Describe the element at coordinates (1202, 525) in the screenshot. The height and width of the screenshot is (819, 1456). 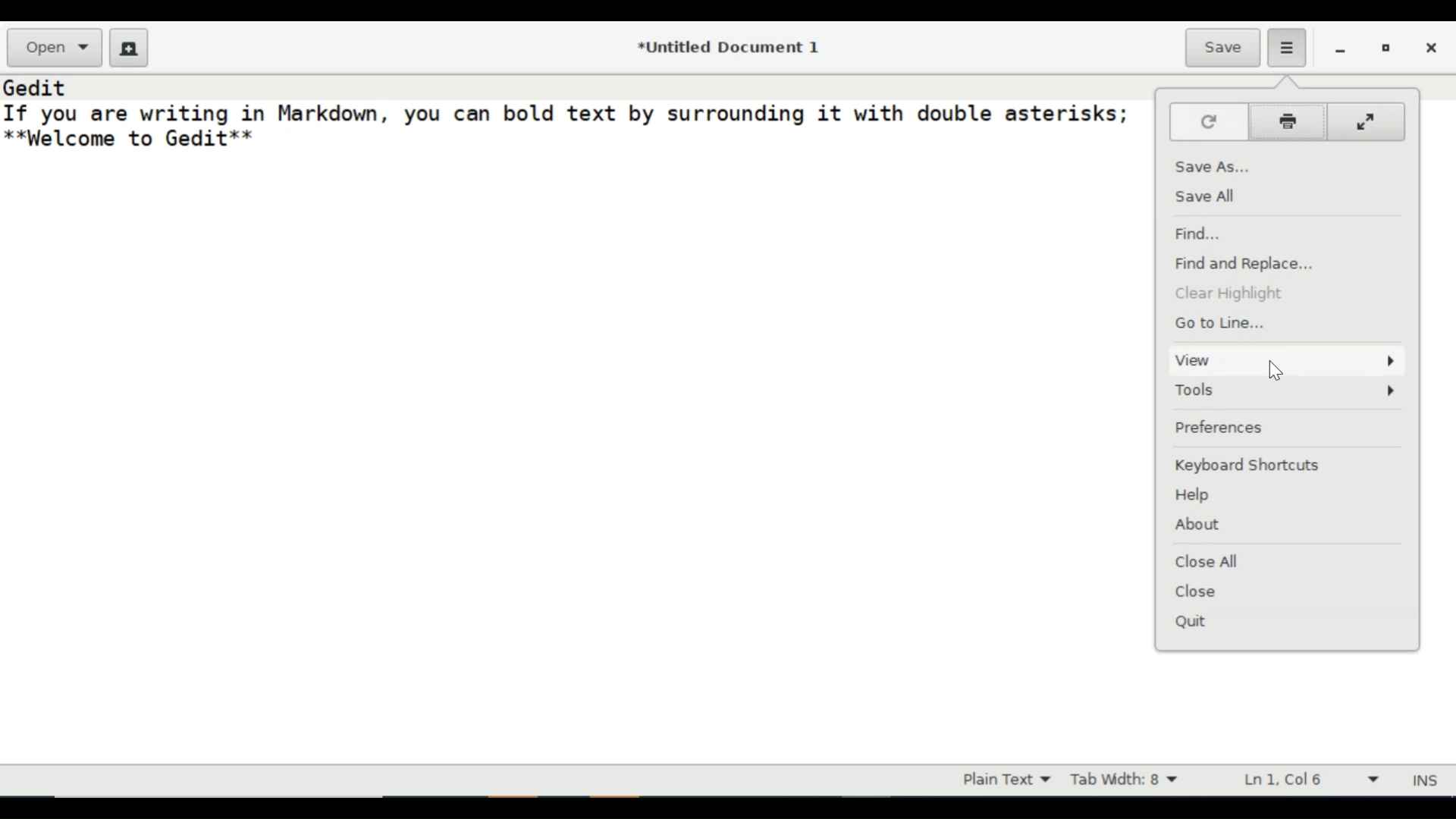
I see `About` at that location.